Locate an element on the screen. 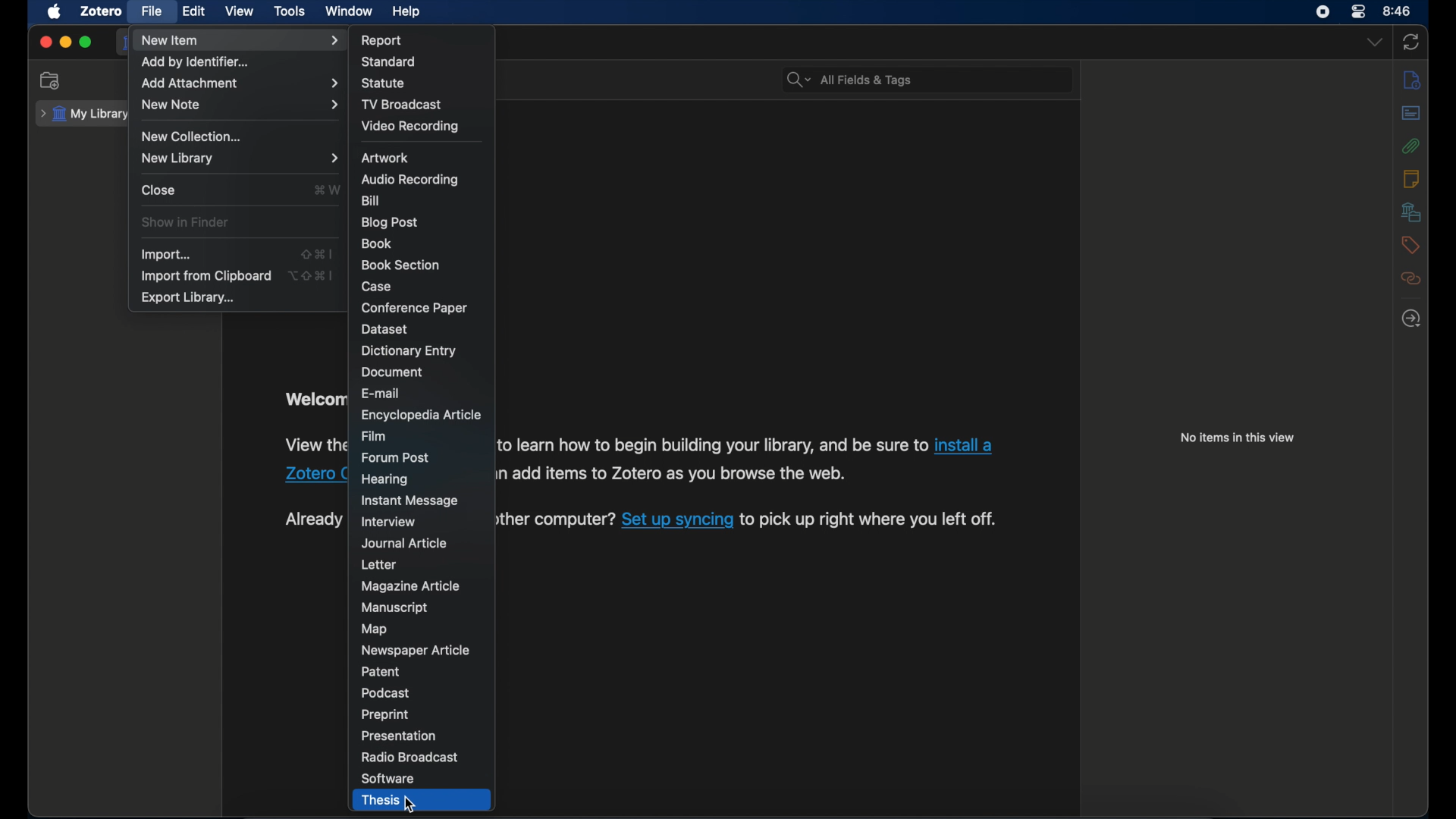  control center is located at coordinates (1360, 12).